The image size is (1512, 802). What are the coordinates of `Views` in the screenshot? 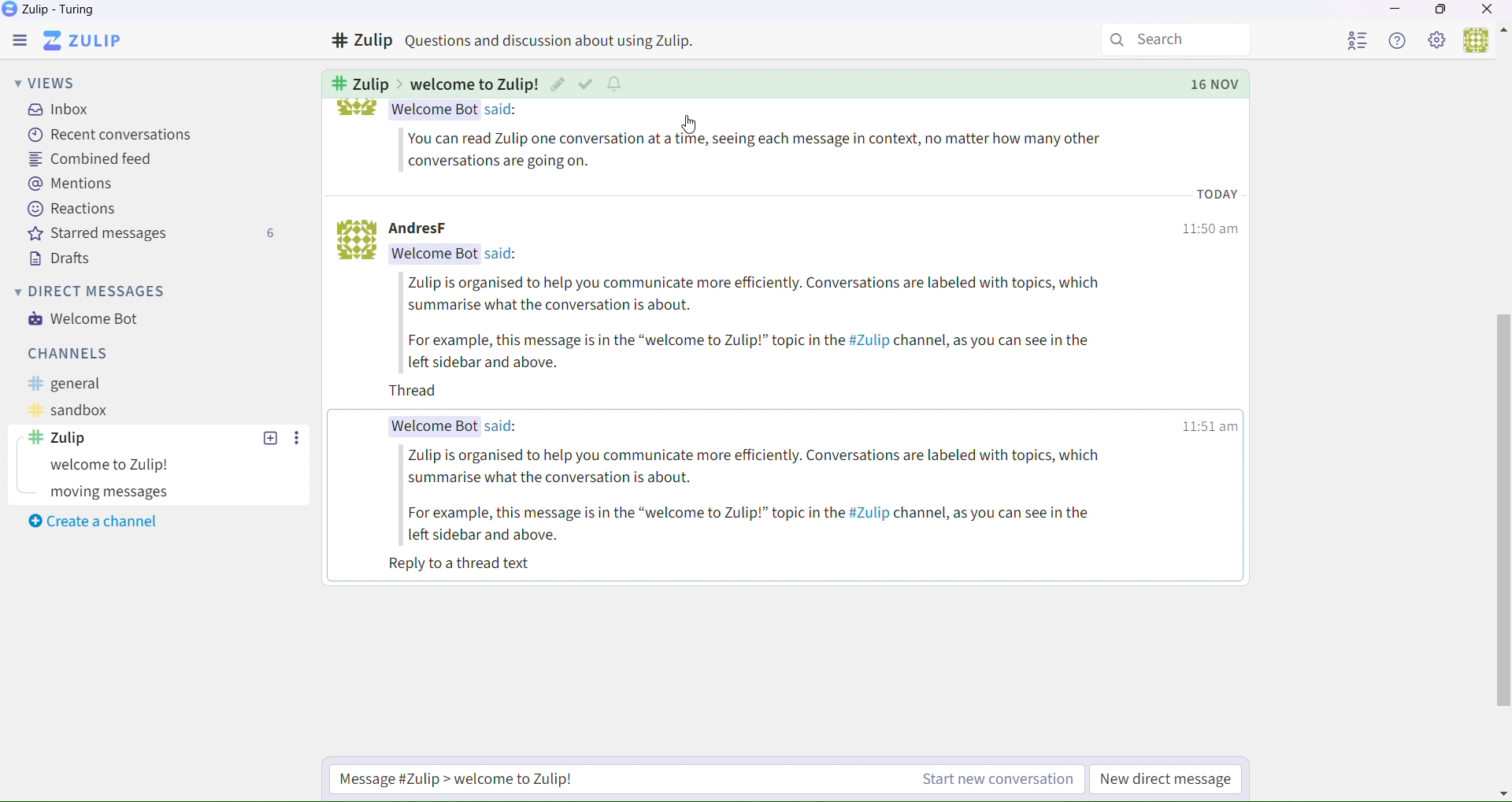 It's located at (48, 81).